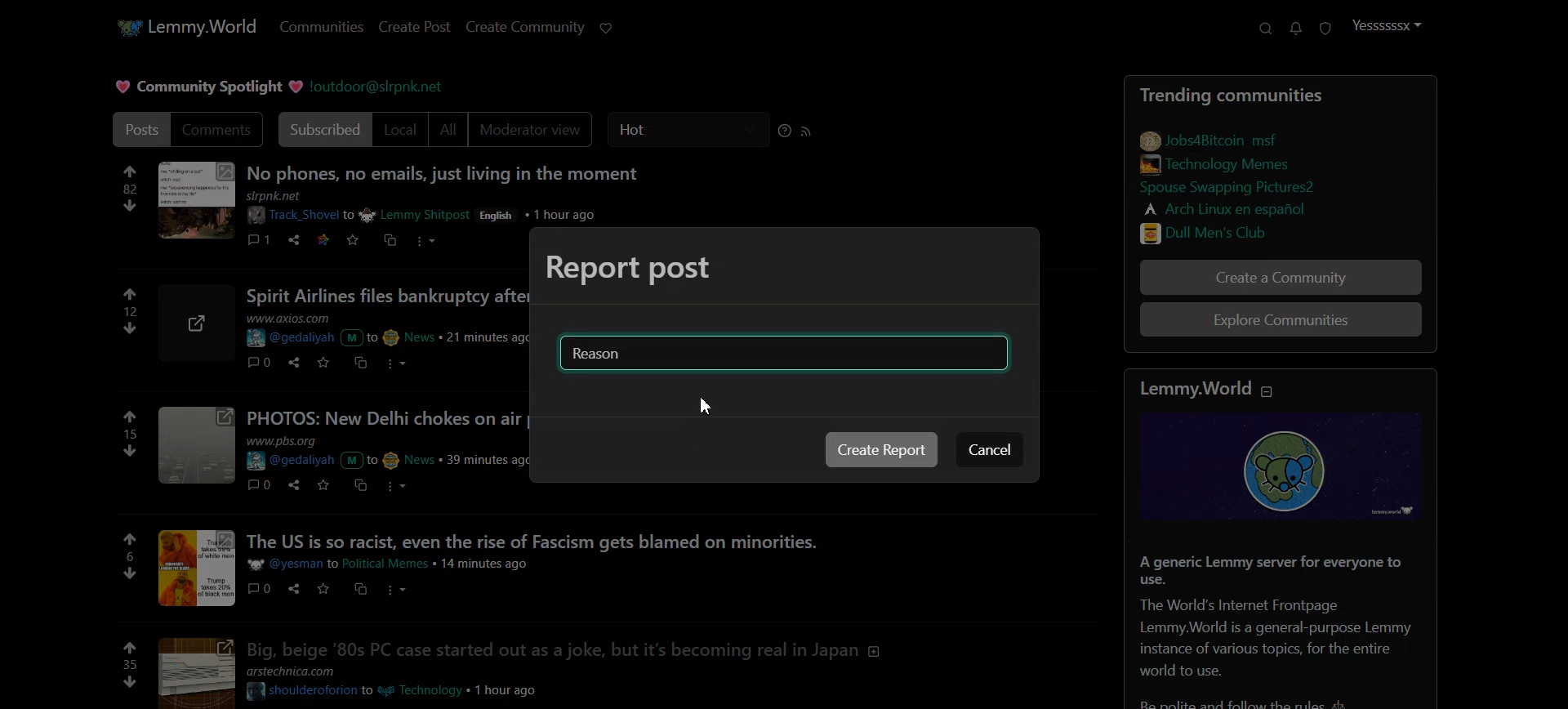  What do you see at coordinates (389, 239) in the screenshot?
I see `cross post` at bounding box center [389, 239].